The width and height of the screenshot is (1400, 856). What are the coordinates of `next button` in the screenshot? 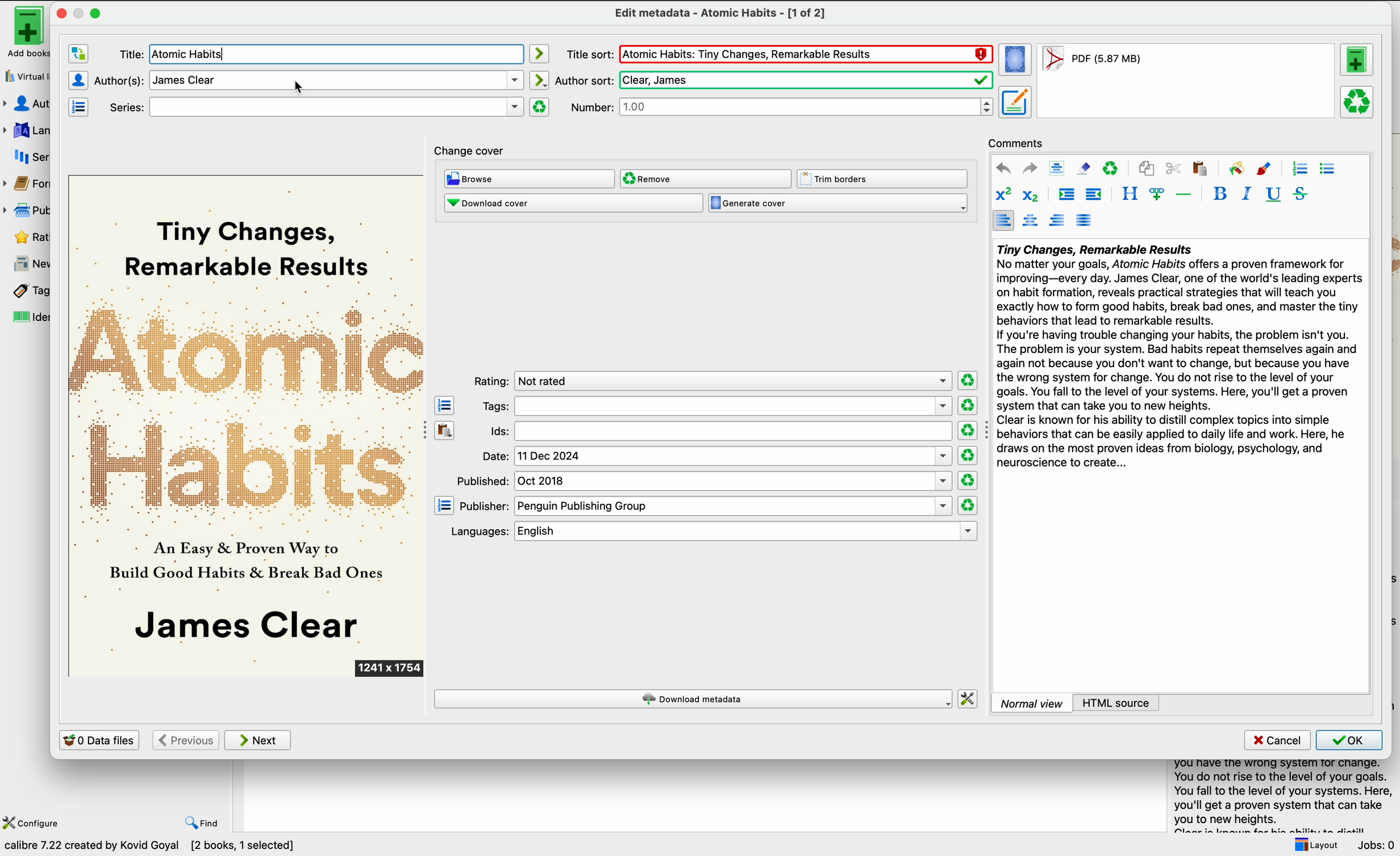 It's located at (259, 741).